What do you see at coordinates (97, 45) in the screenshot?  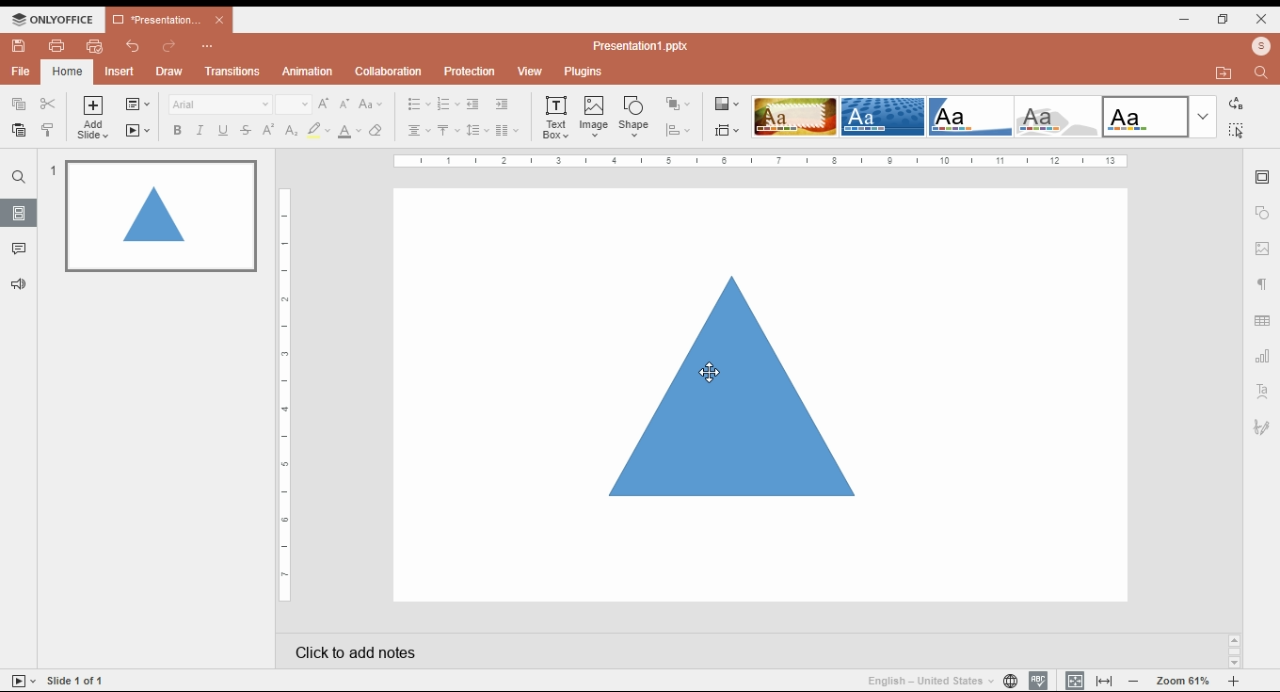 I see `quick print` at bounding box center [97, 45].